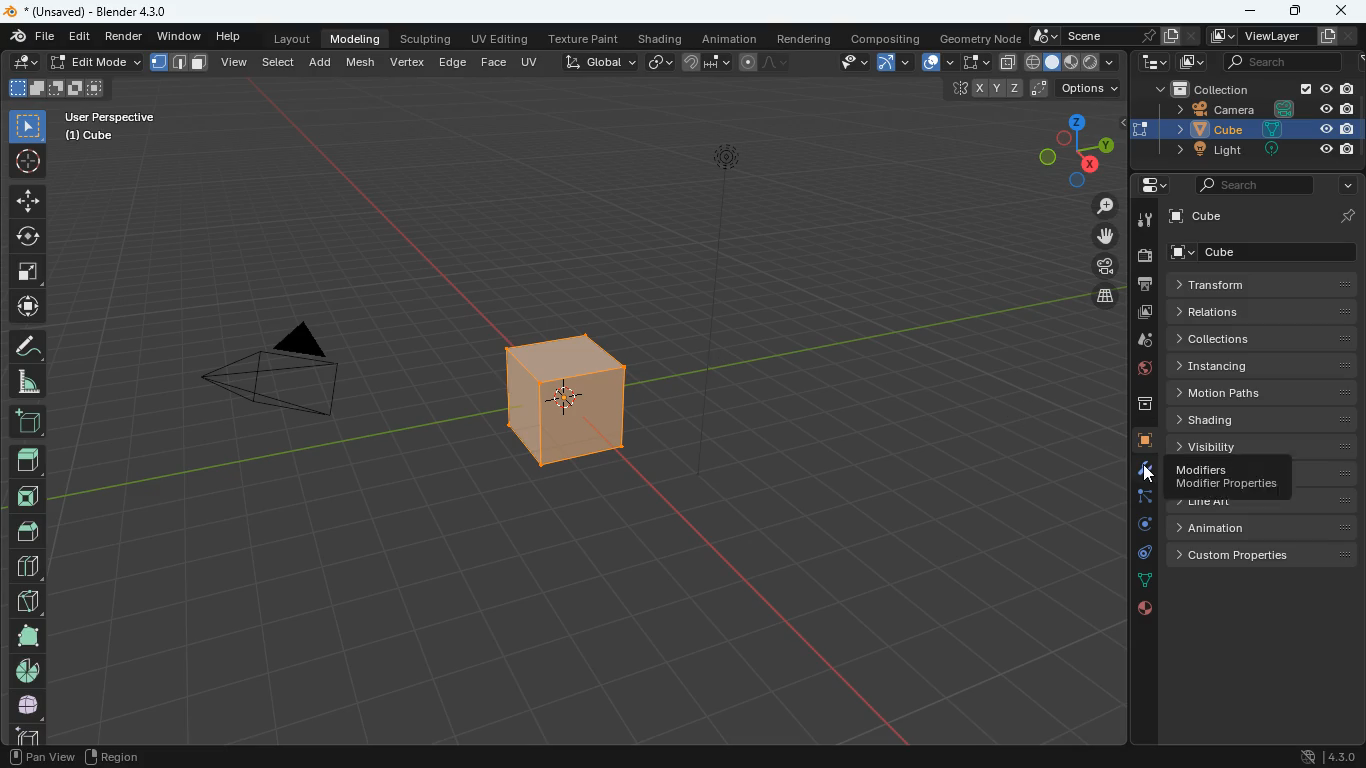 The height and width of the screenshot is (768, 1366). Describe the element at coordinates (1008, 62) in the screenshot. I see `copy` at that location.